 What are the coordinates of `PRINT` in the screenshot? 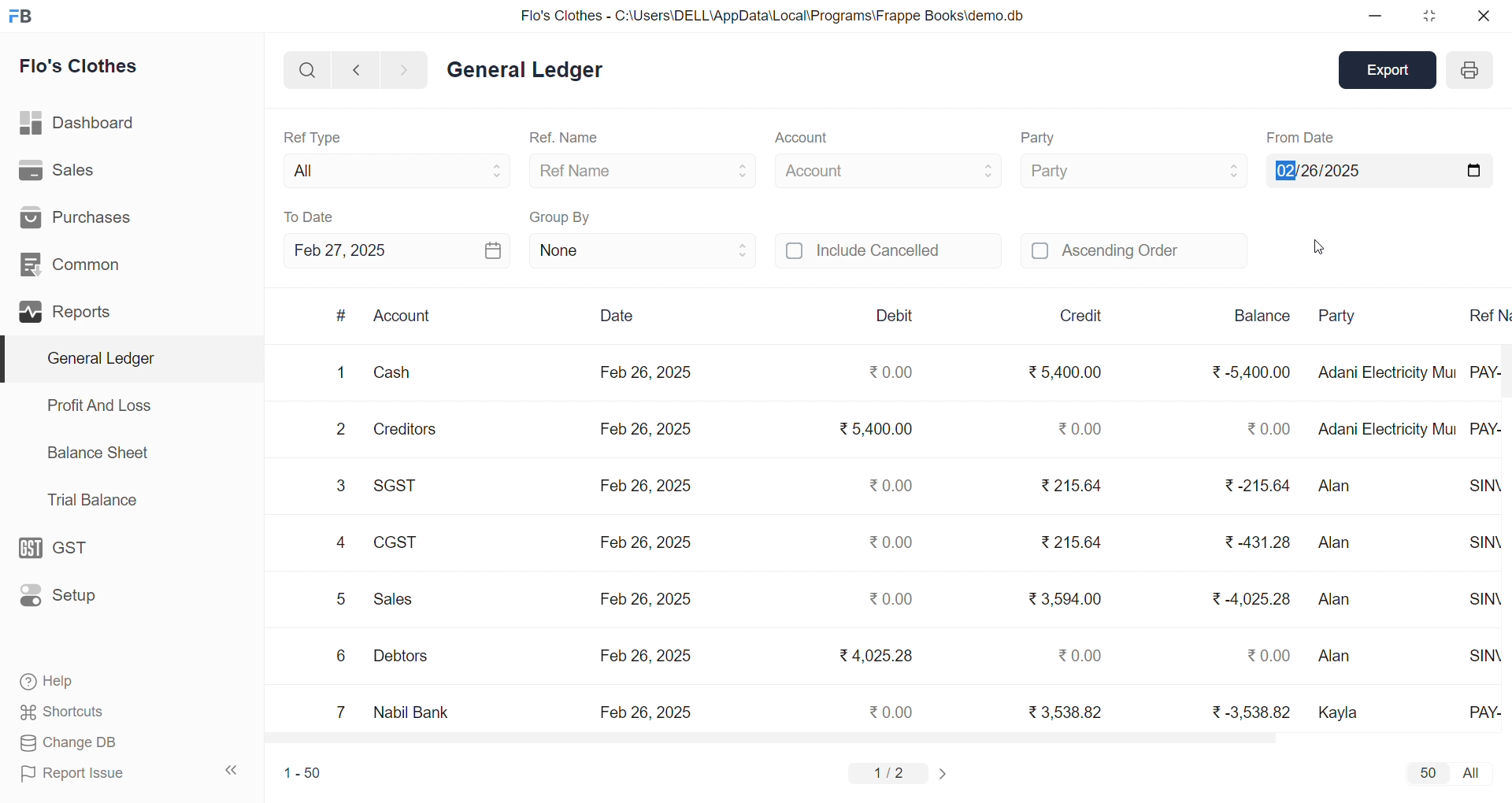 It's located at (1469, 72).